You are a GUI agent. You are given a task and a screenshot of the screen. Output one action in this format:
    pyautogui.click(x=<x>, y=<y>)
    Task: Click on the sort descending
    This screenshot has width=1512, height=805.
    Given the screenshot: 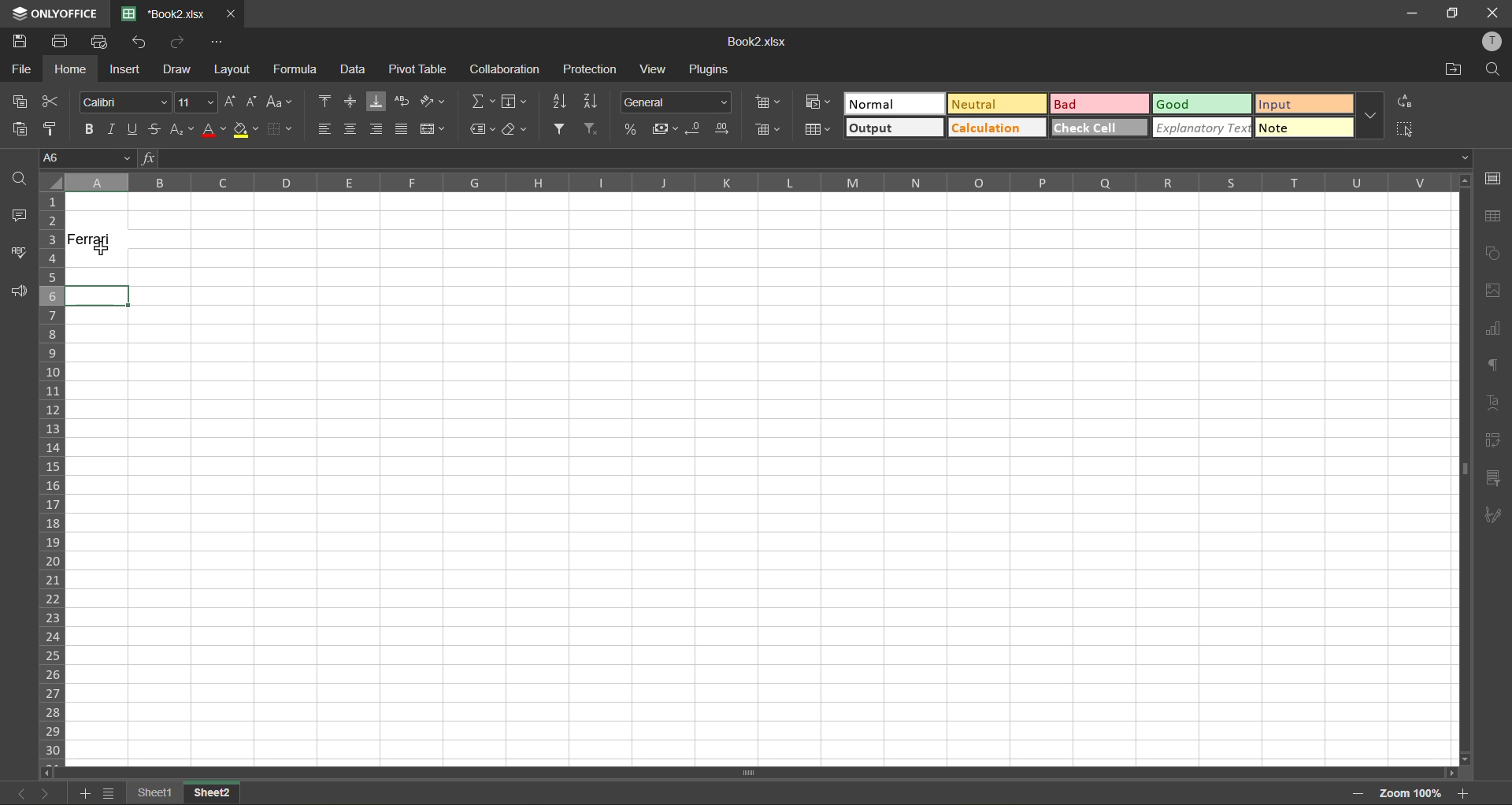 What is the action you would take?
    pyautogui.click(x=593, y=101)
    